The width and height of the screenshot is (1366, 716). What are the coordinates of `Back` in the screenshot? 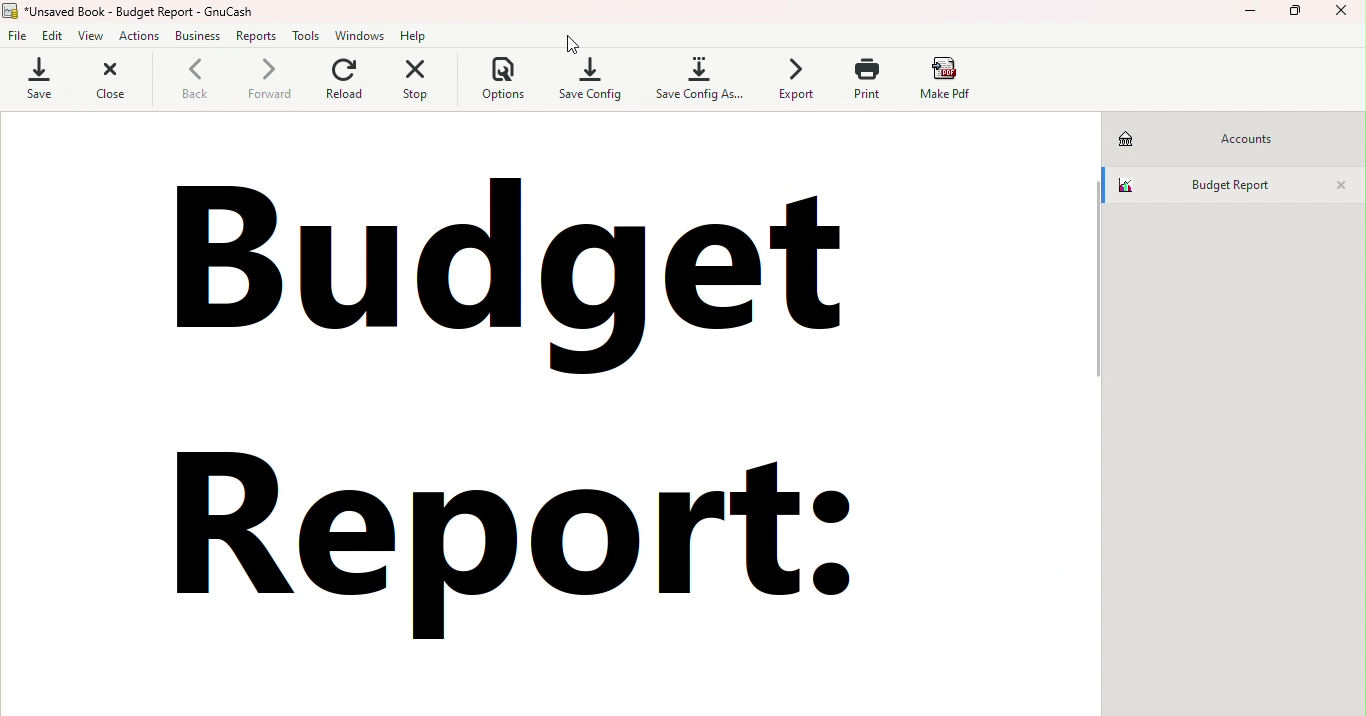 It's located at (193, 81).